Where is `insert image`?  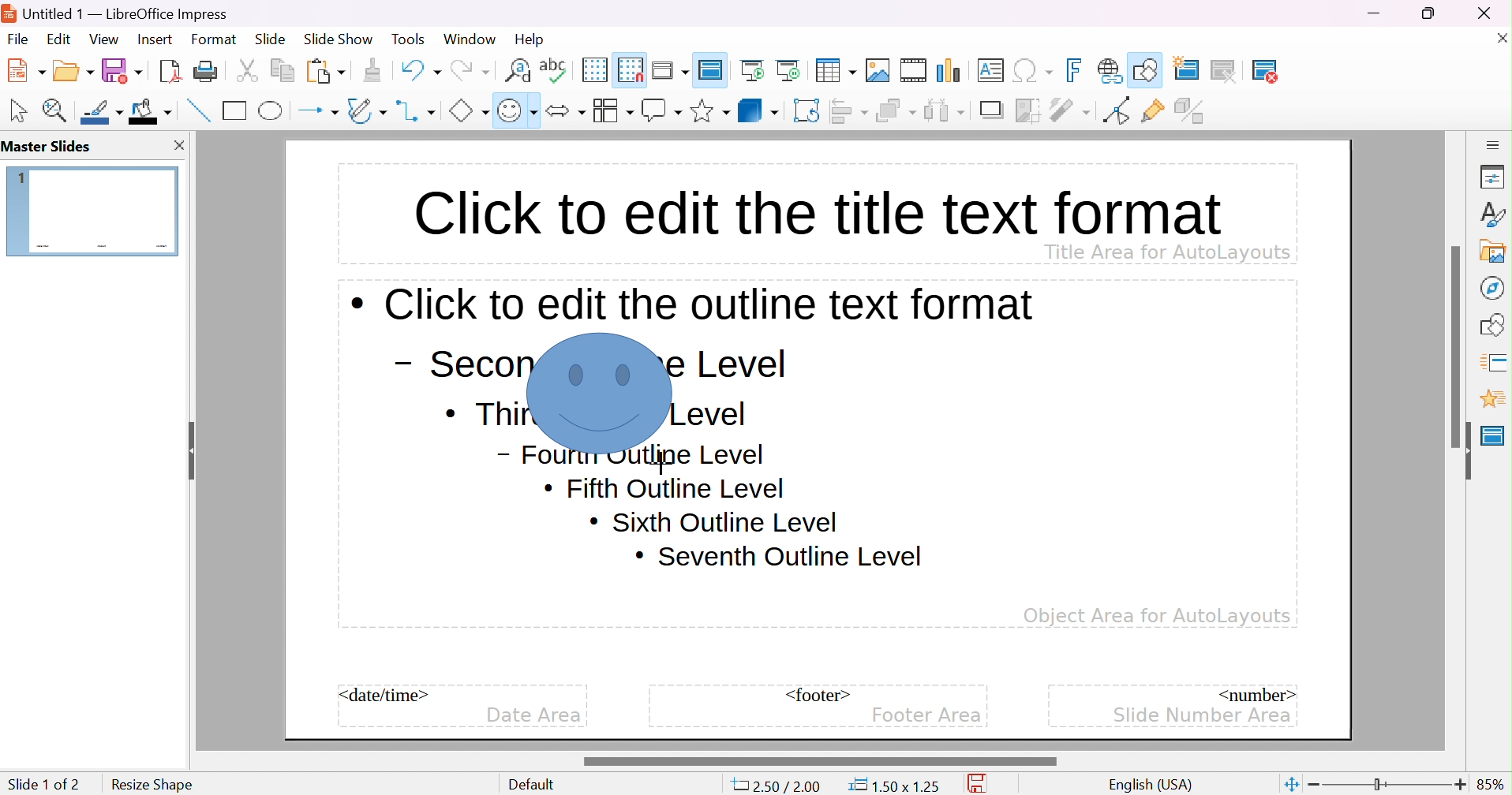 insert image is located at coordinates (878, 70).